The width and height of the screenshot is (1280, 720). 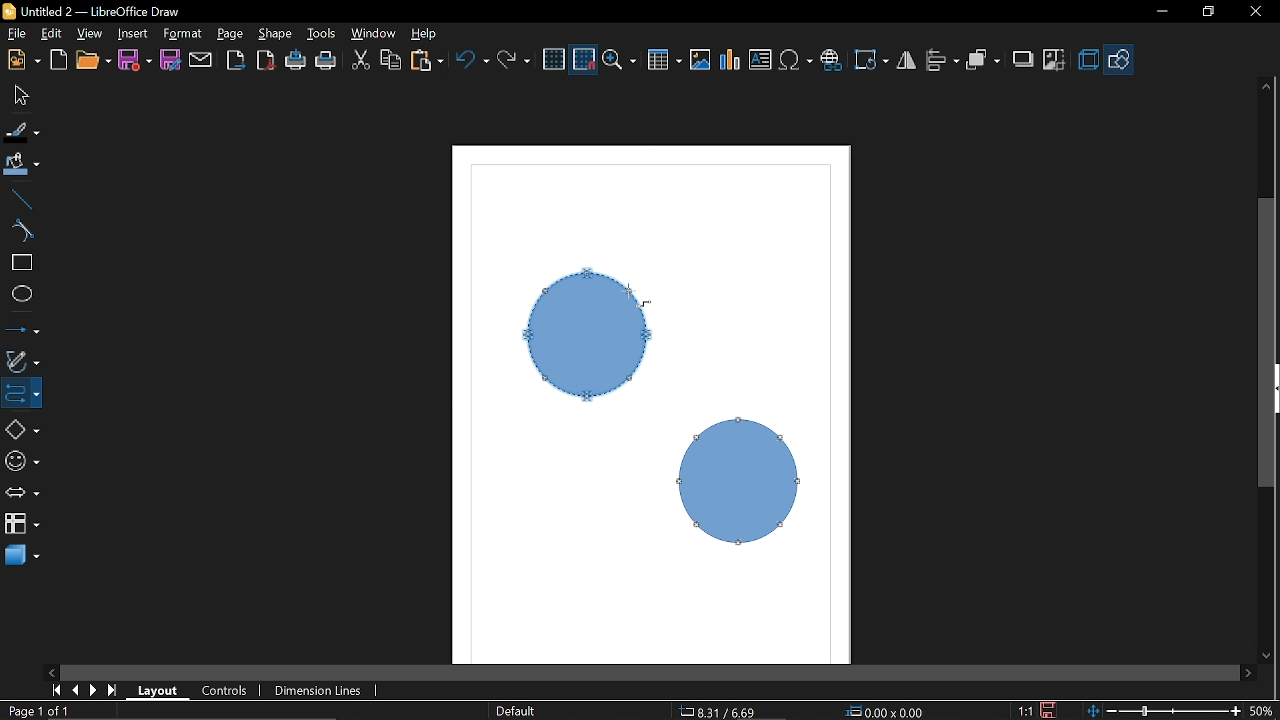 I want to click on Insert text, so click(x=762, y=61).